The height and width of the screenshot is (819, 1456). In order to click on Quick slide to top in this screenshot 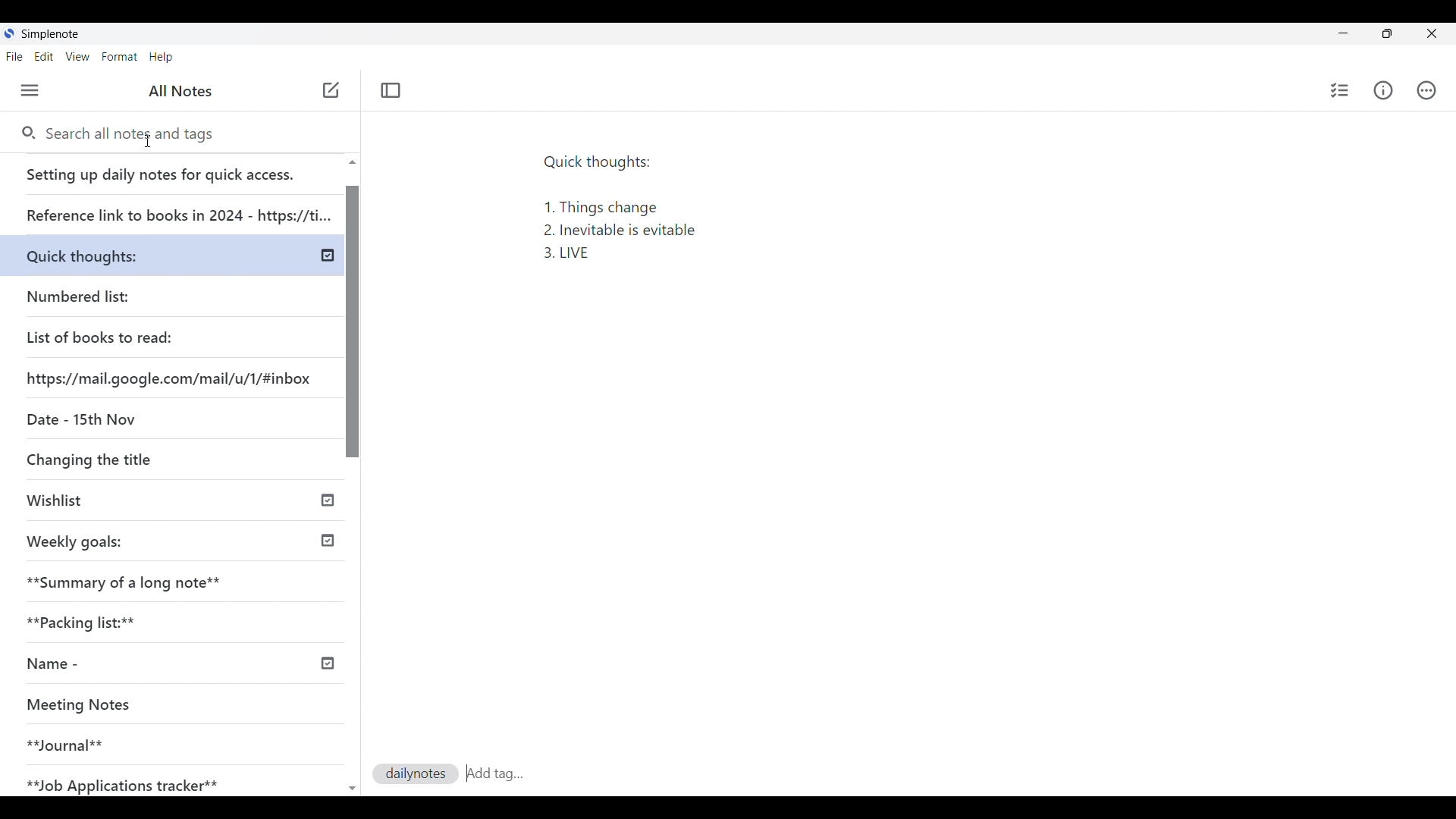, I will do `click(353, 789)`.